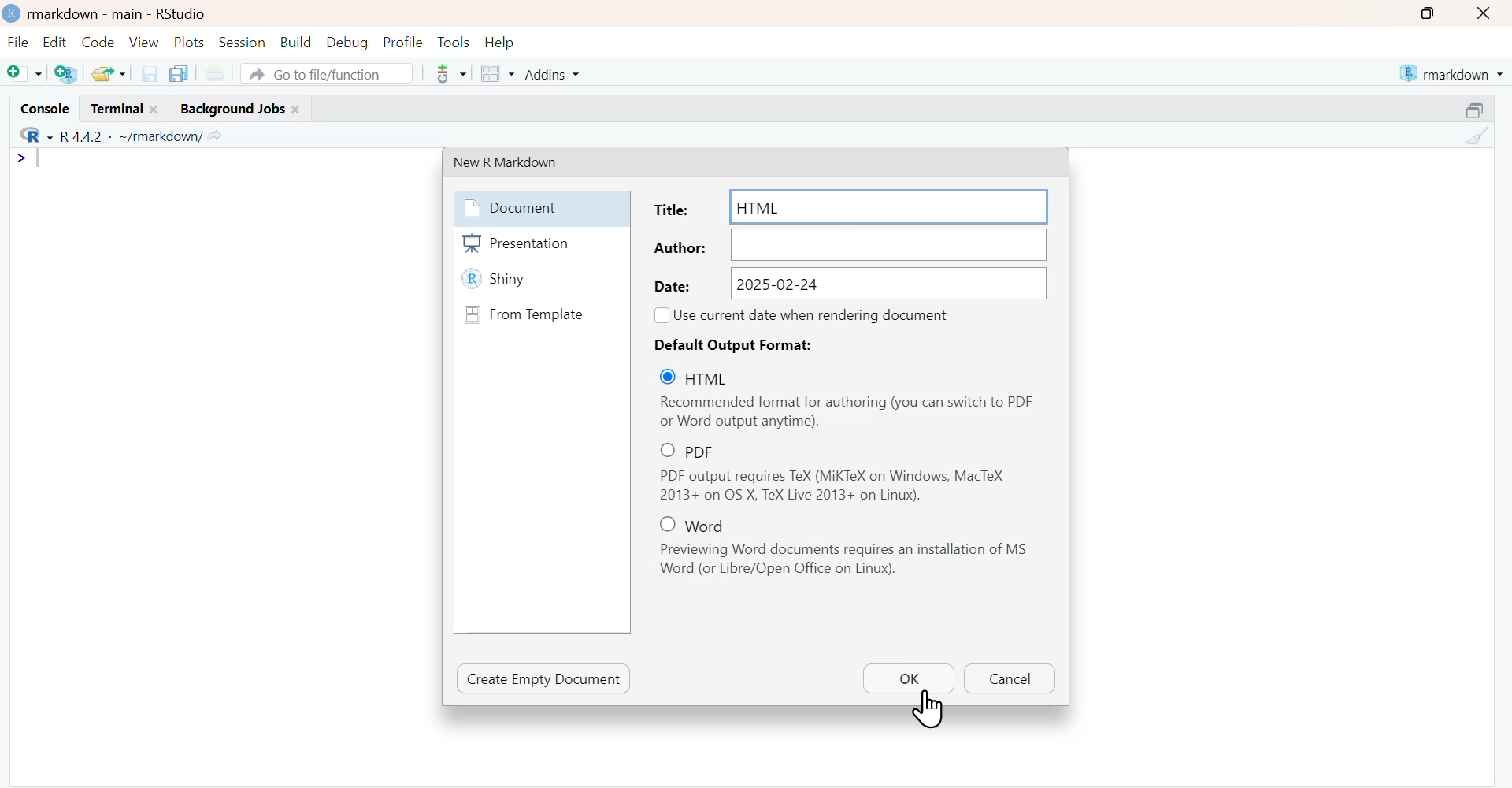 The height and width of the screenshot is (788, 1512). What do you see at coordinates (1451, 73) in the screenshot?
I see `current project - rmarkdown` at bounding box center [1451, 73].